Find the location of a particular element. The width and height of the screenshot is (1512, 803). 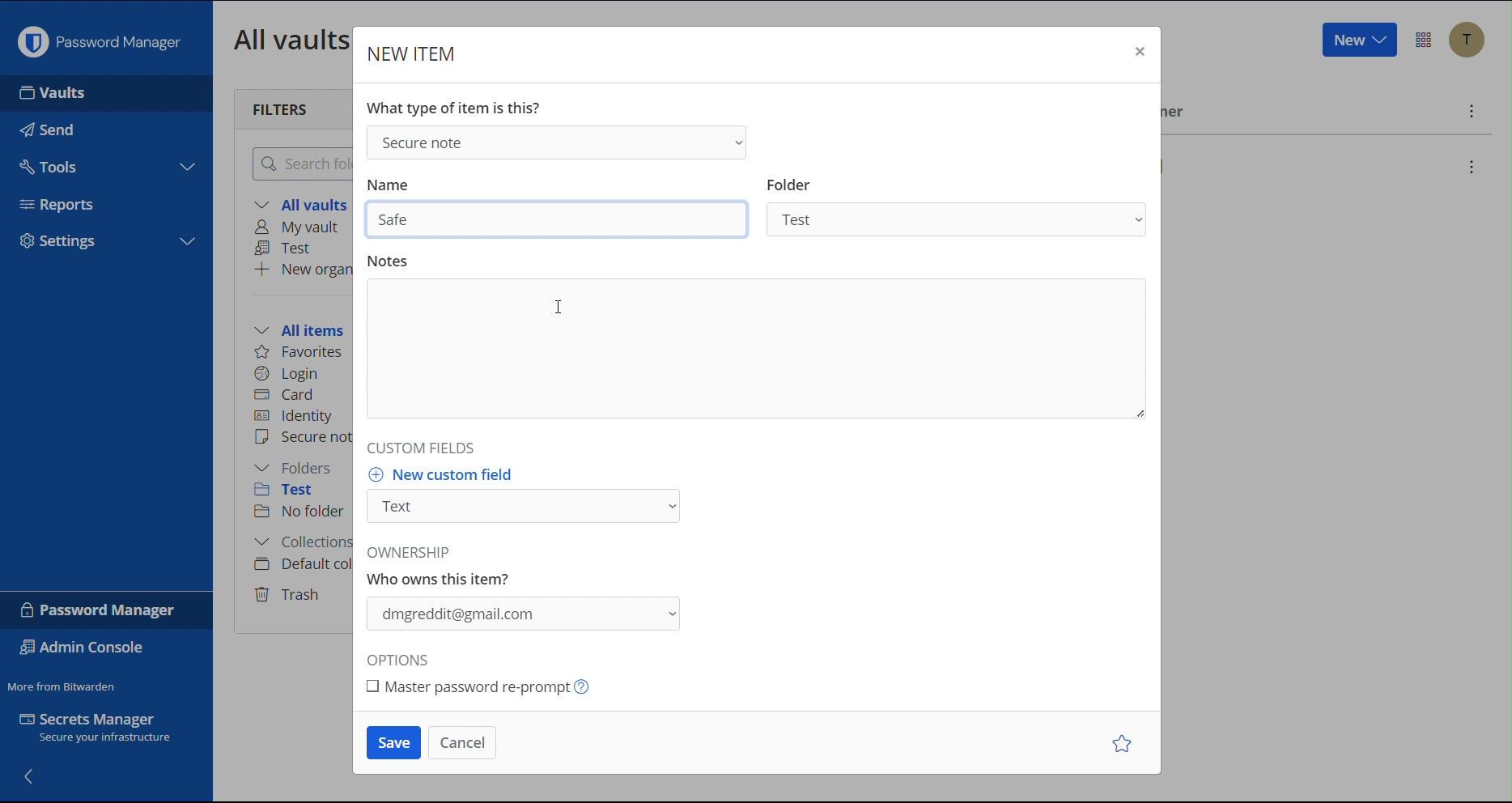

Save is located at coordinates (394, 743).